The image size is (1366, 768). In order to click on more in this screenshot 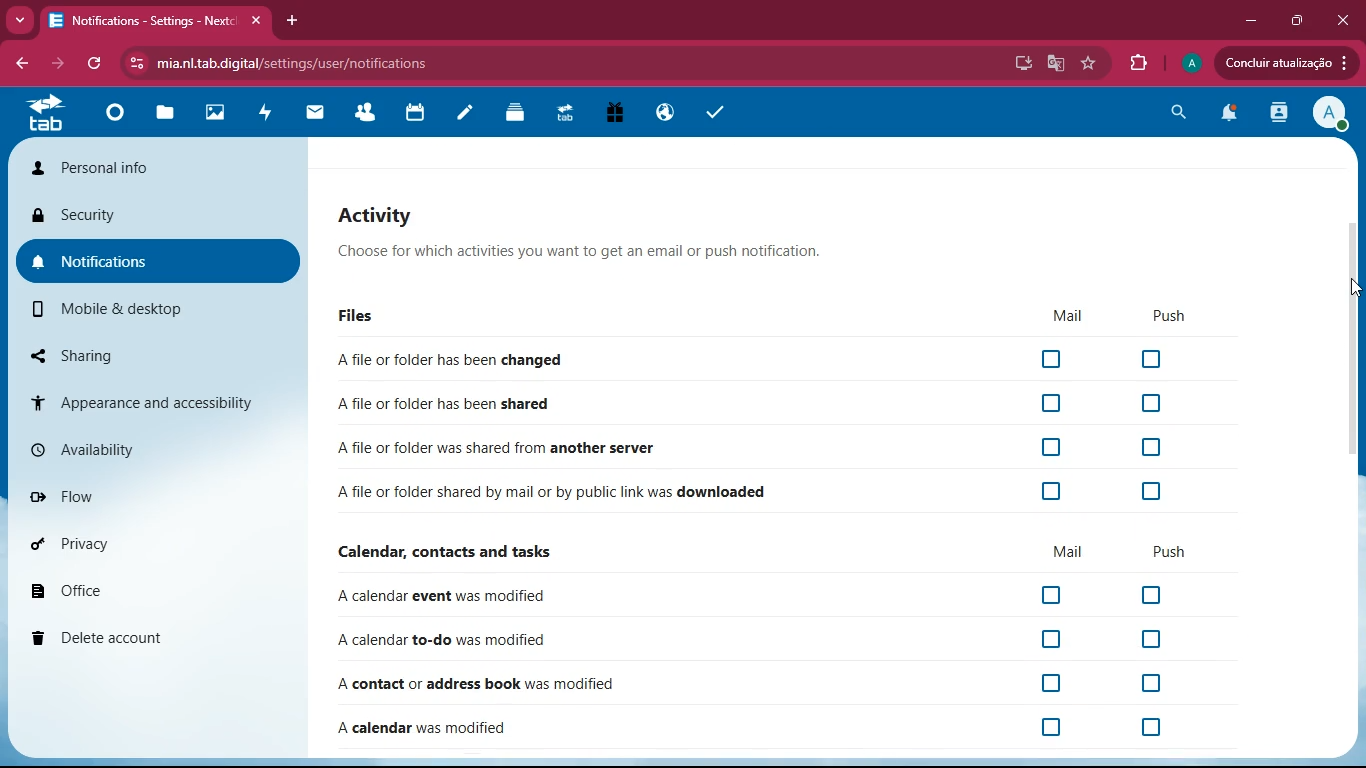, I will do `click(18, 21)`.